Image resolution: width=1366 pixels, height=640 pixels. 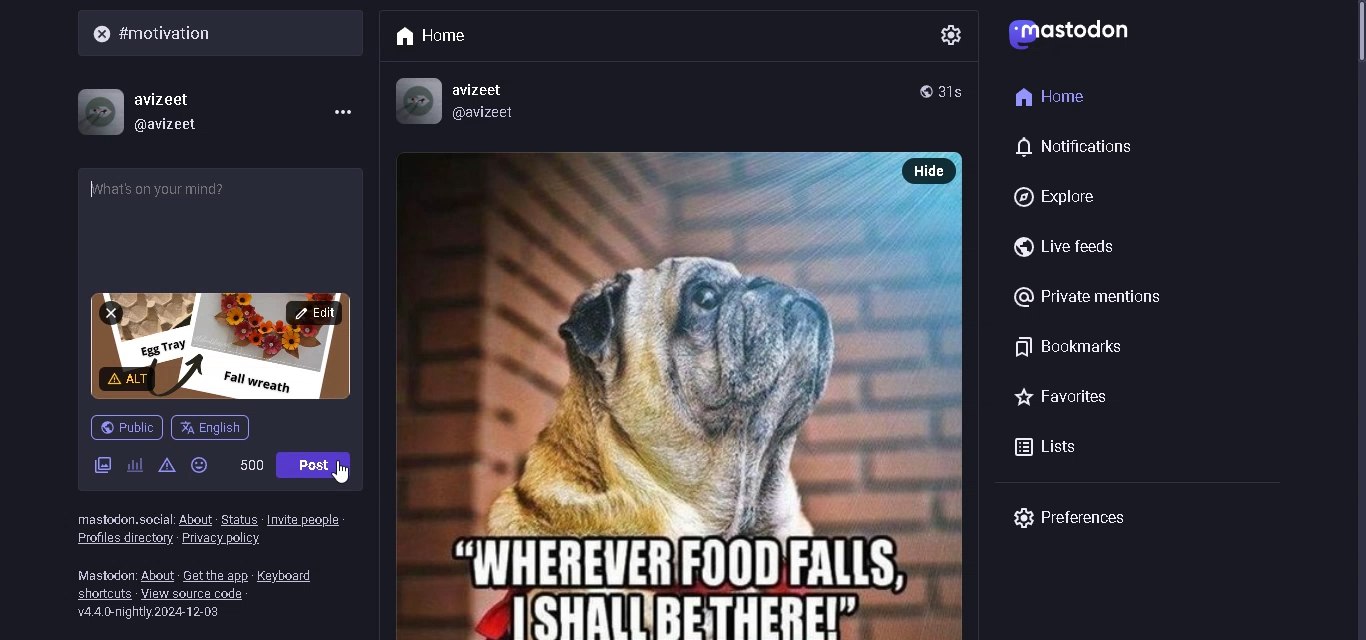 What do you see at coordinates (125, 540) in the screenshot?
I see `profiles directories` at bounding box center [125, 540].